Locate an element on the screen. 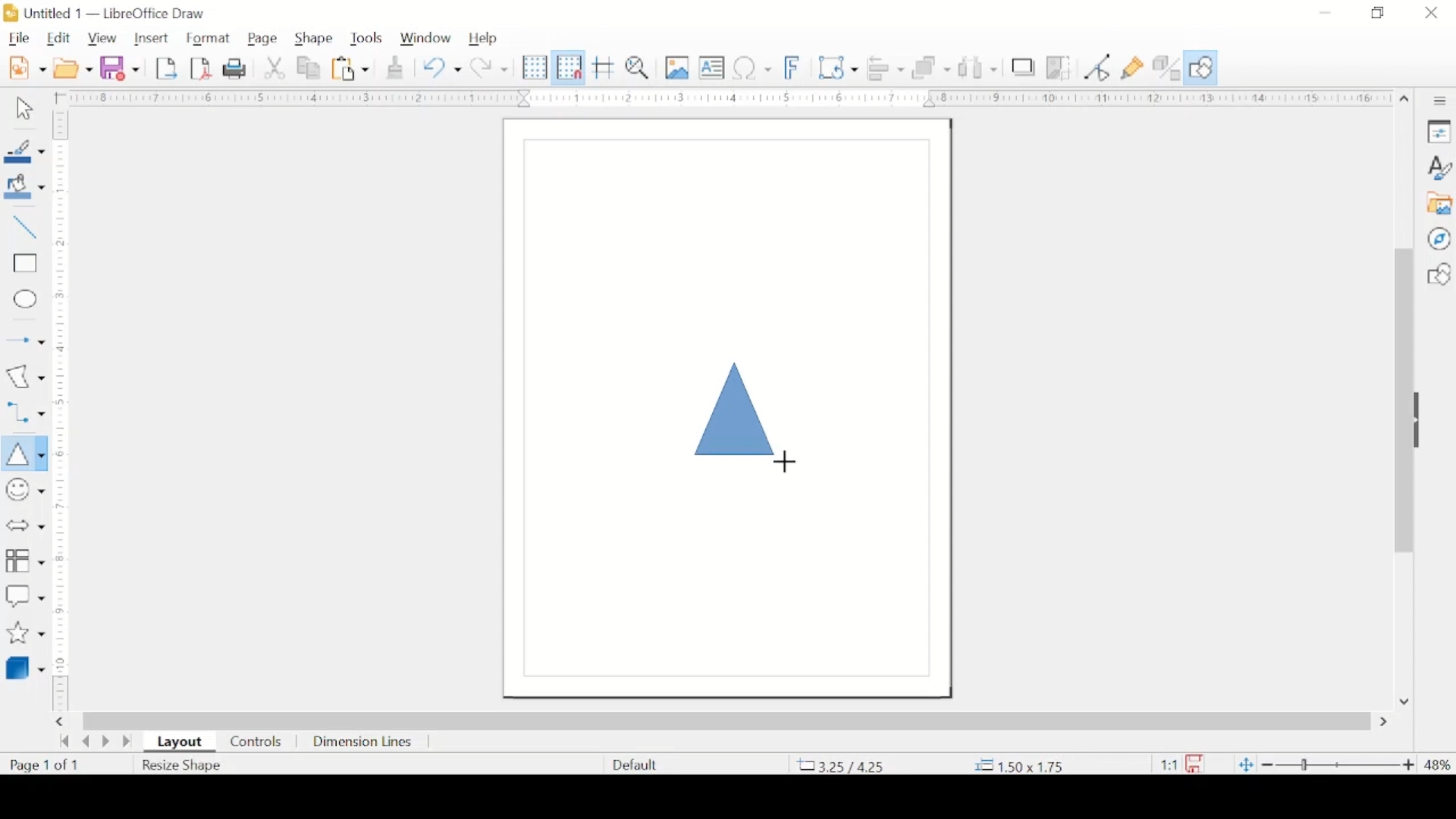 Image resolution: width=1456 pixels, height=819 pixels. snap to grid is located at coordinates (568, 67).